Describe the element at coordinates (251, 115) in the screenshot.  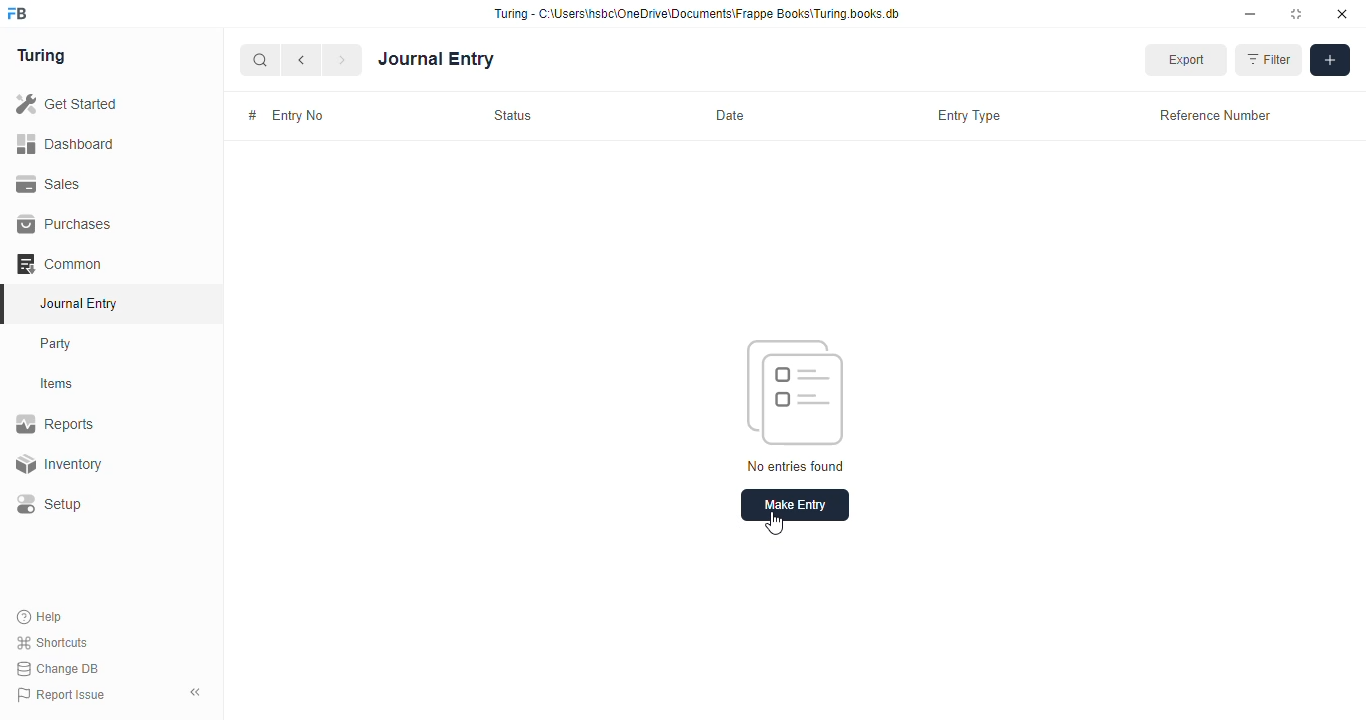
I see `#` at that location.